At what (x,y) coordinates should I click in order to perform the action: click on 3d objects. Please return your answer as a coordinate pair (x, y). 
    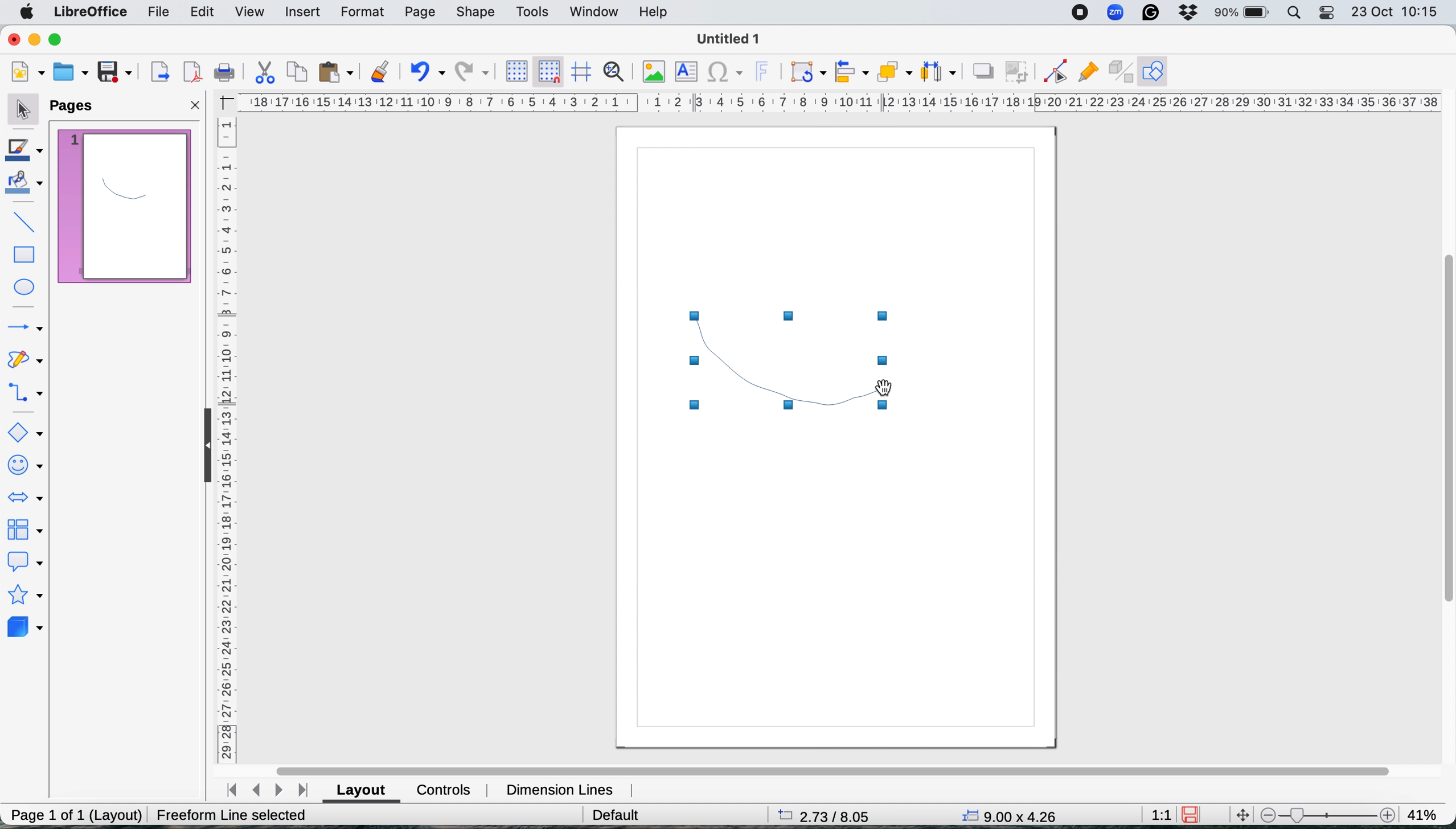
    Looking at the image, I should click on (26, 630).